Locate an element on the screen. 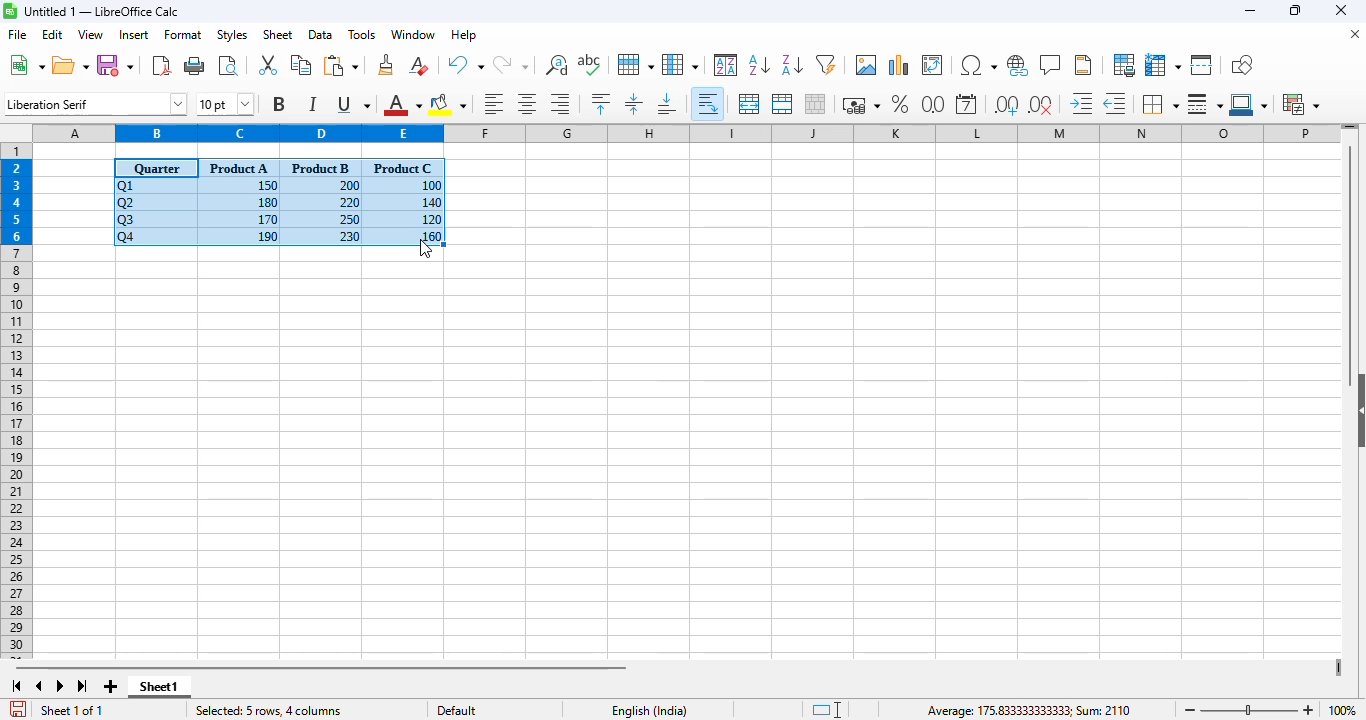 The width and height of the screenshot is (1366, 720). tools is located at coordinates (361, 34).